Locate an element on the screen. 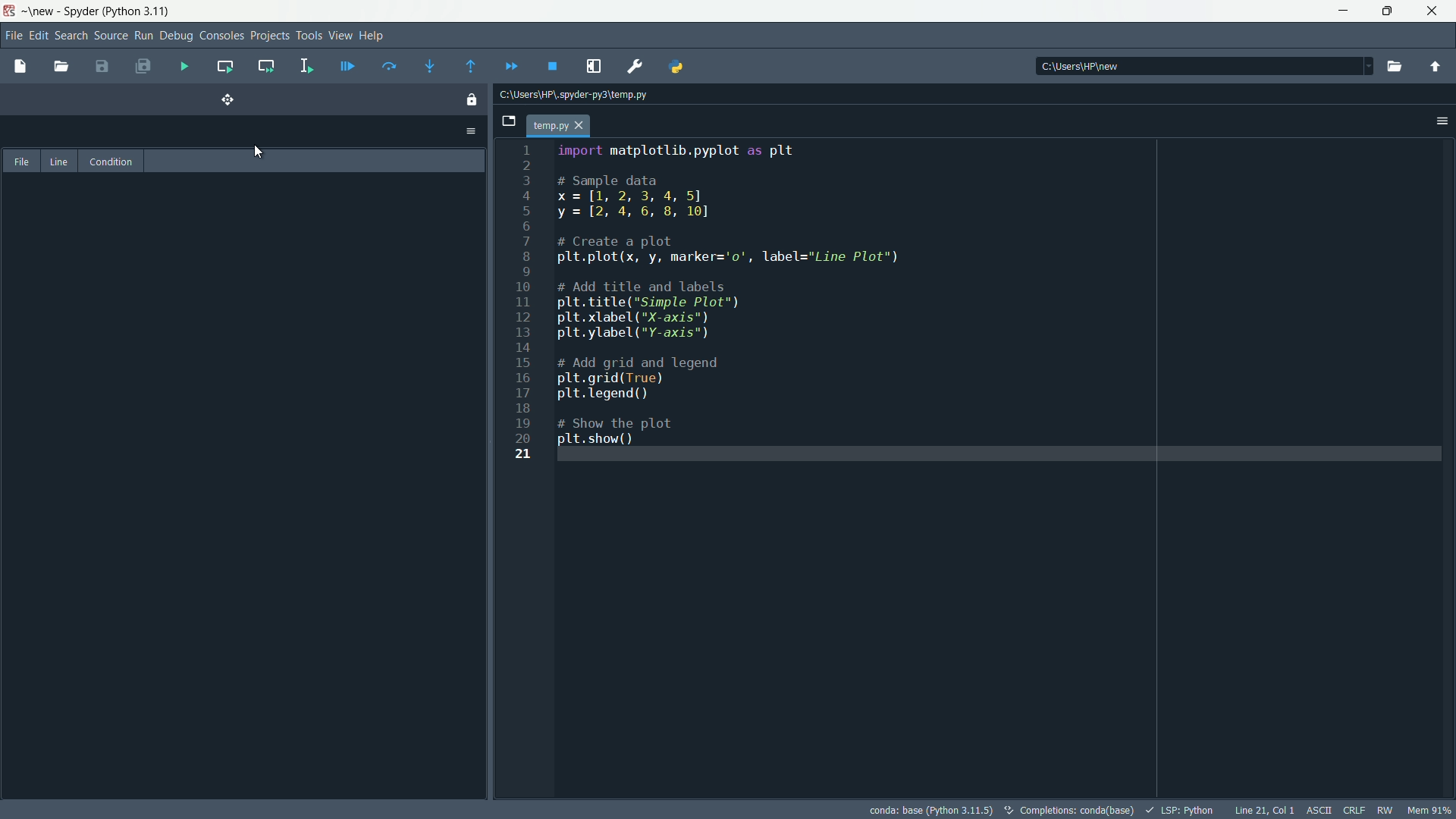  help menu is located at coordinates (373, 36).